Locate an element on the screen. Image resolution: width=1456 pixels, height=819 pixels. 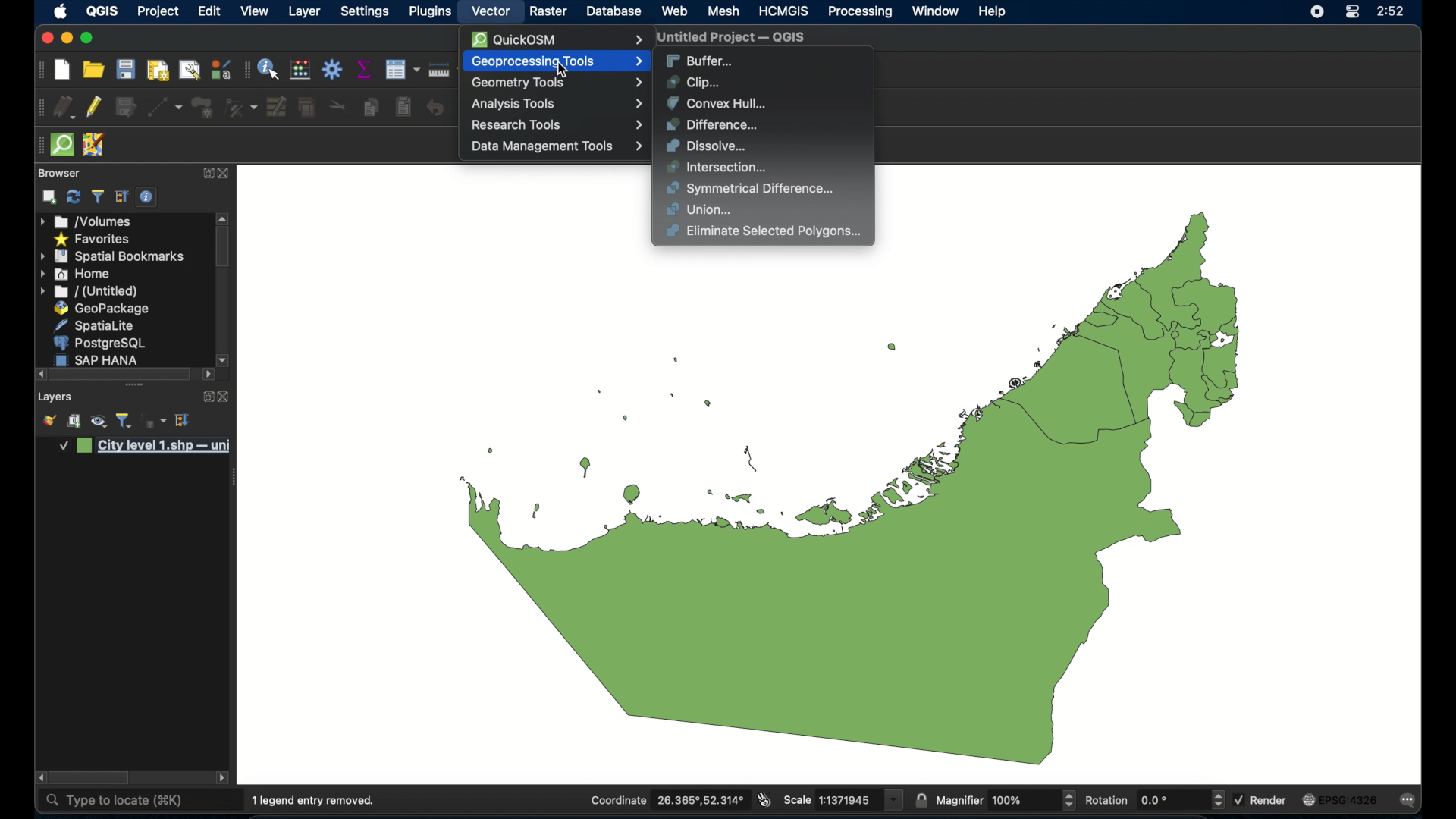
settings is located at coordinates (366, 12).